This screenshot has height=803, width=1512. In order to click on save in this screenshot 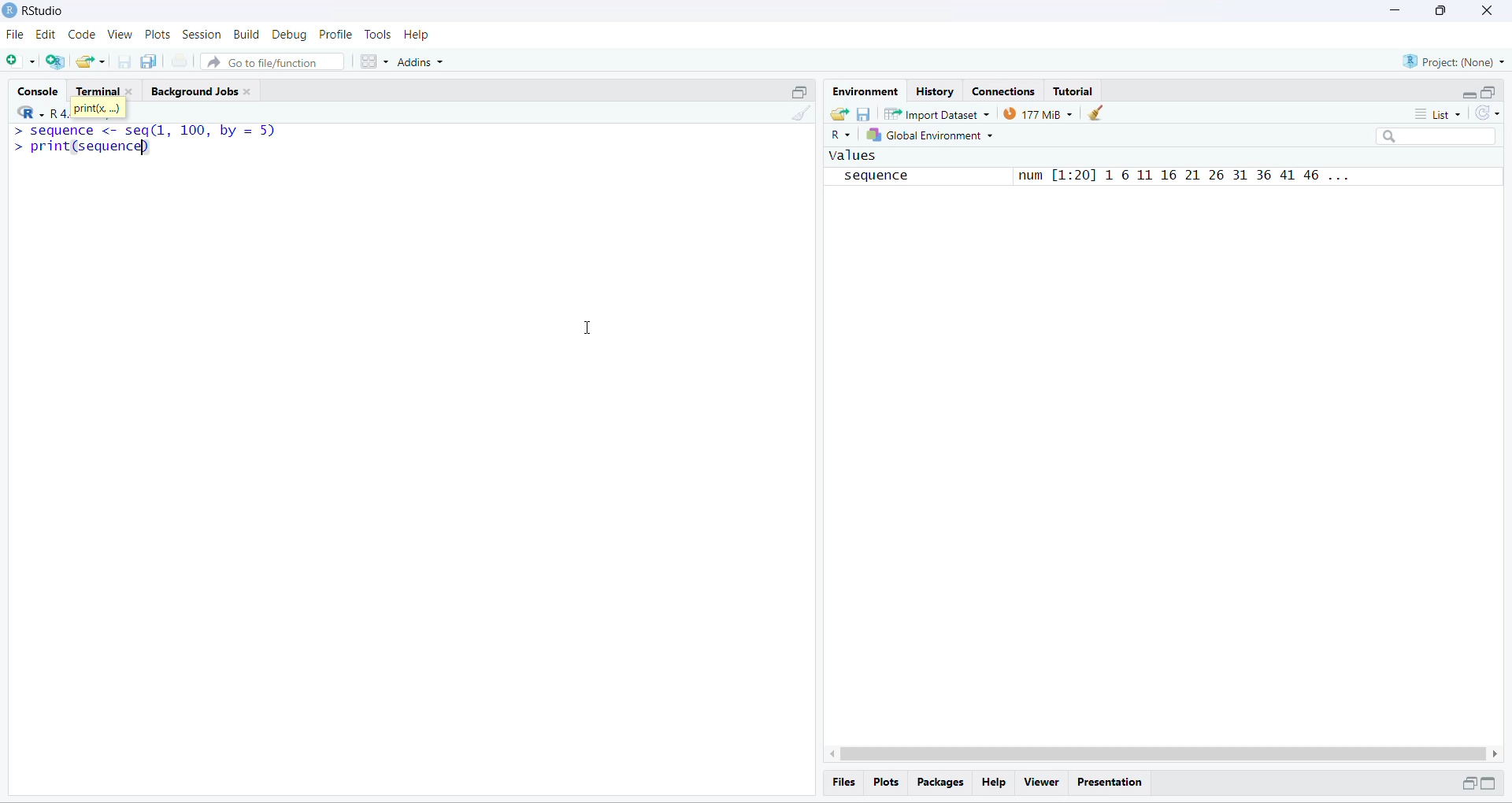, I will do `click(126, 61)`.